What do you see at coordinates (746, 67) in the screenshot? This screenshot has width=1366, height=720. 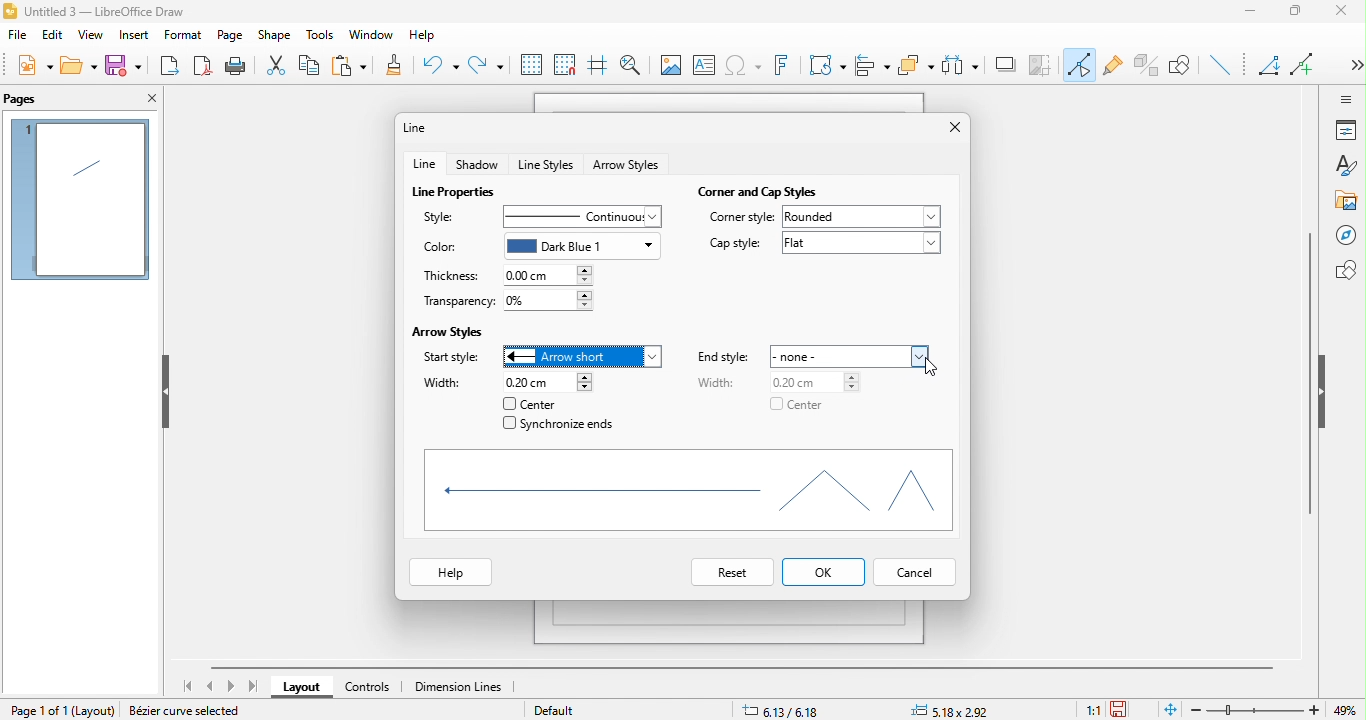 I see `special character` at bounding box center [746, 67].